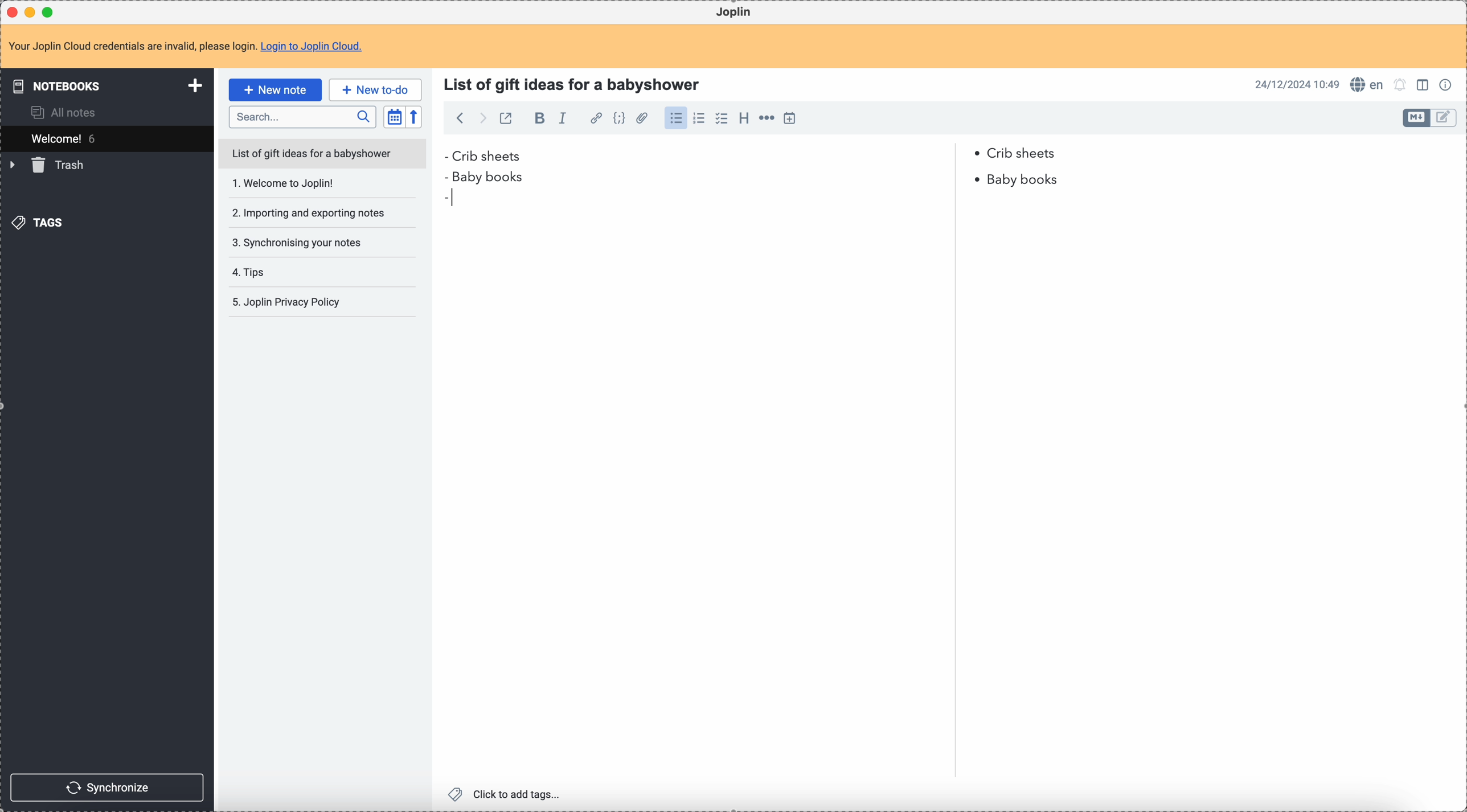  I want to click on importing and exporting notes, so click(308, 212).